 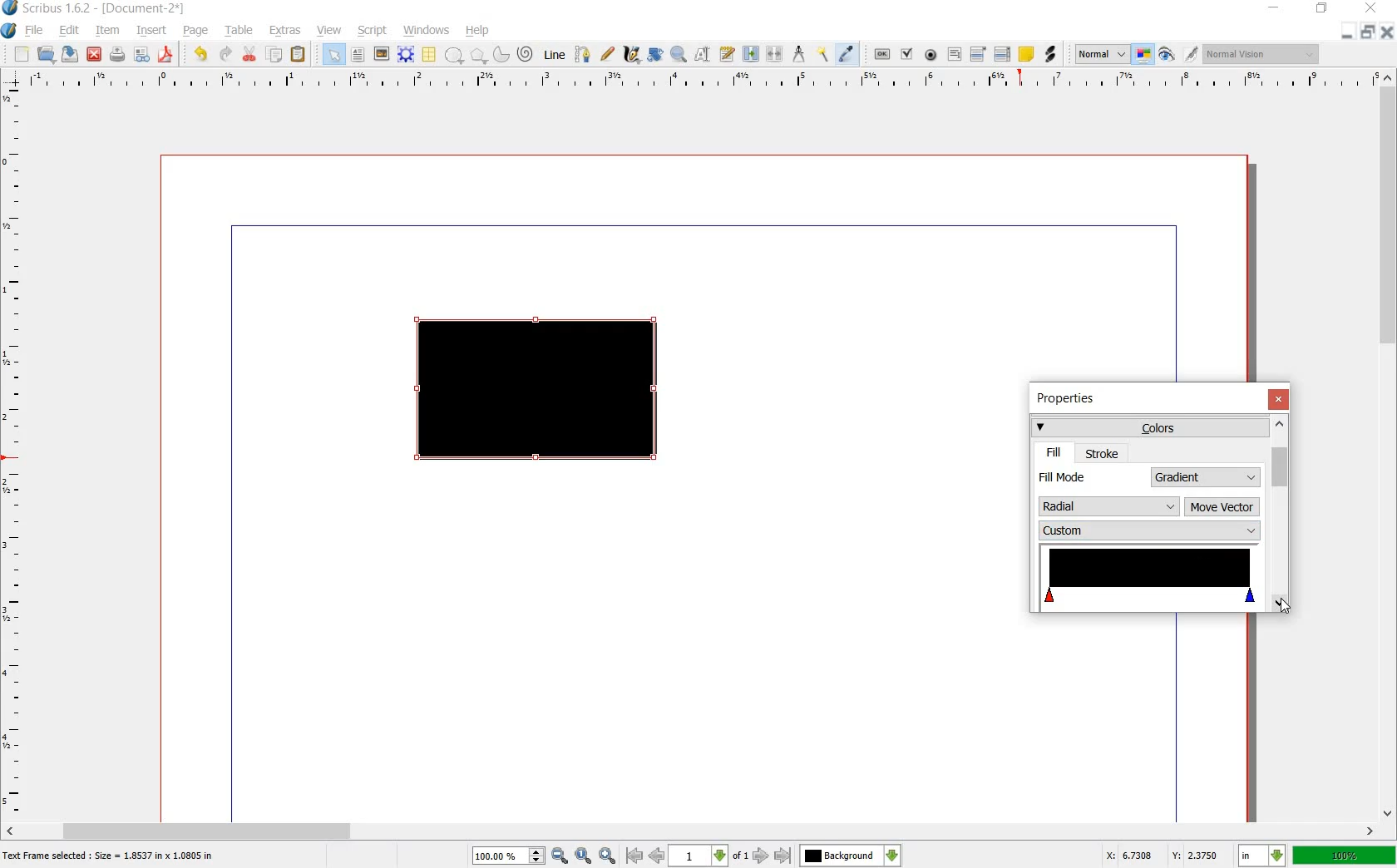 I want to click on view, so click(x=330, y=31).